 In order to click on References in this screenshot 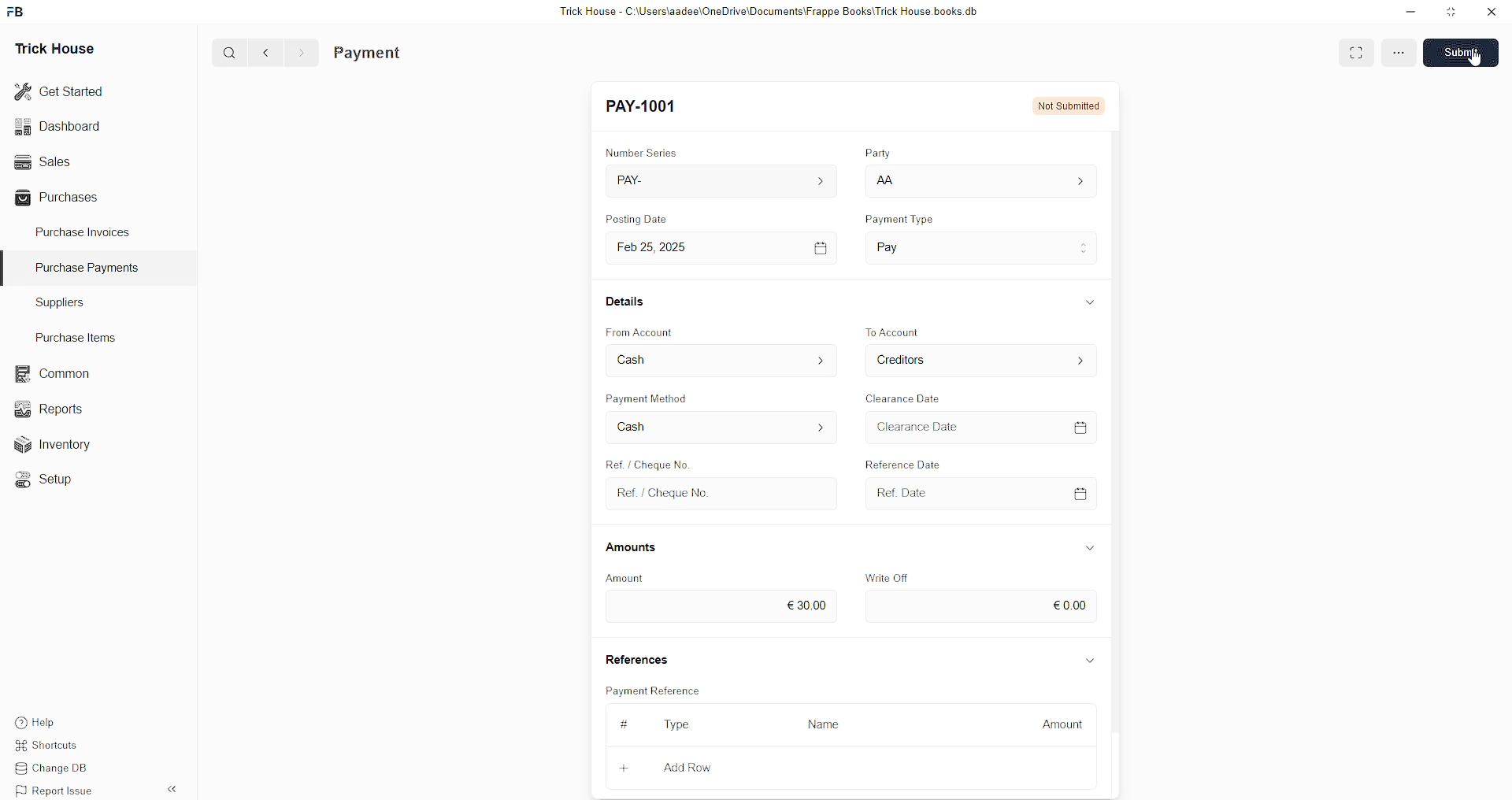, I will do `click(646, 661)`.